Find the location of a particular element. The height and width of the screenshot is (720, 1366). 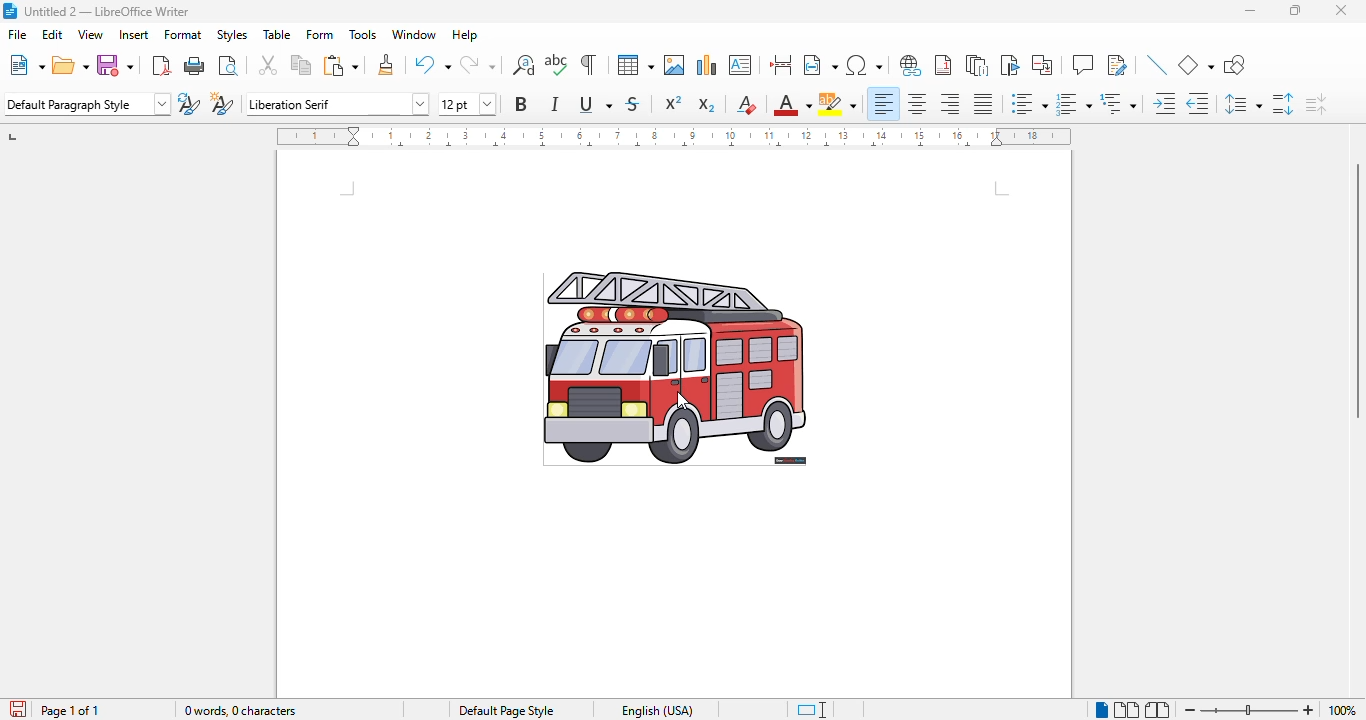

increase indent is located at coordinates (1164, 103).